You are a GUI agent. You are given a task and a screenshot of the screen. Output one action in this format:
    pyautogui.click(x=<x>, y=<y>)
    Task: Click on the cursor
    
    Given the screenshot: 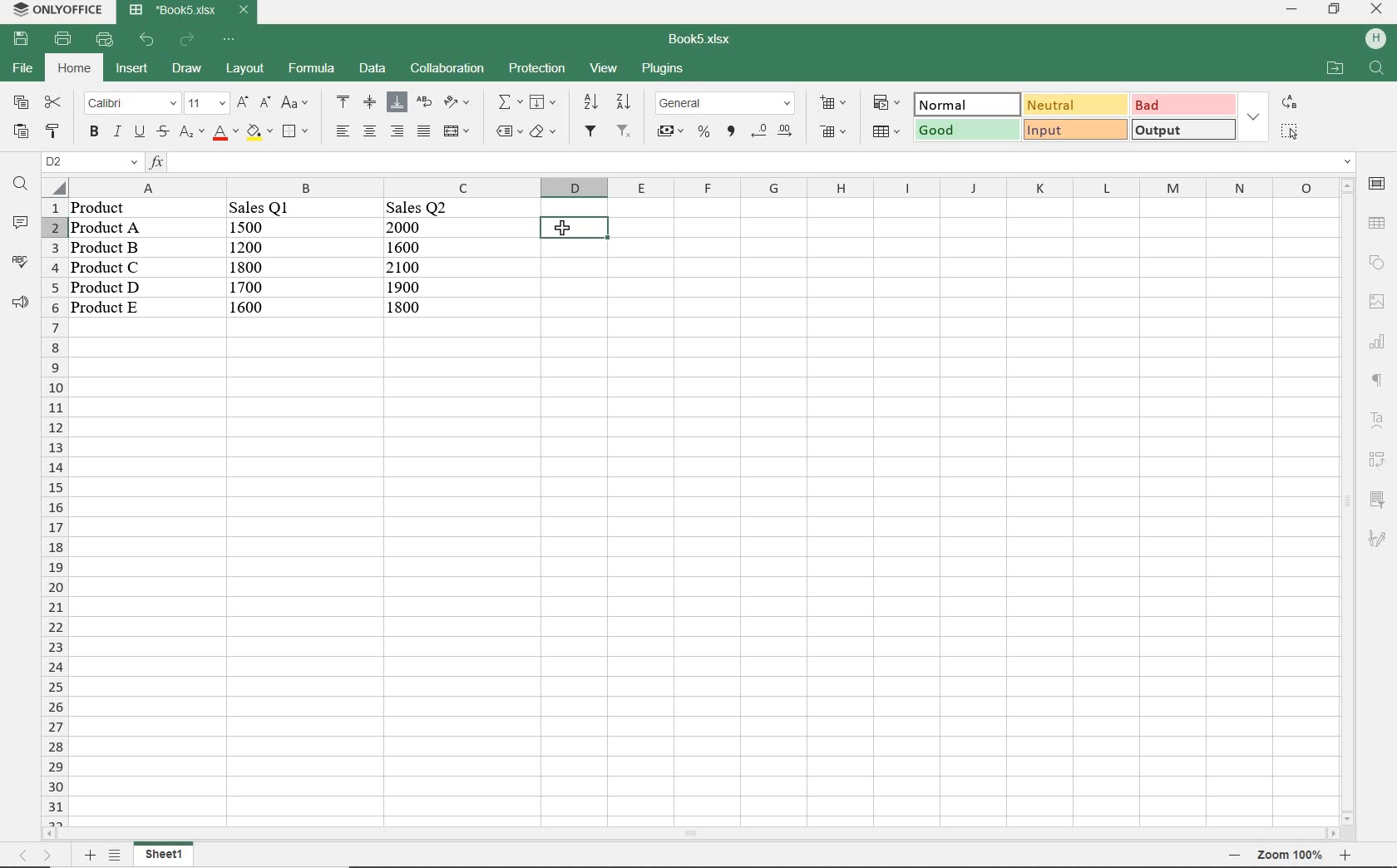 What is the action you would take?
    pyautogui.click(x=568, y=229)
    